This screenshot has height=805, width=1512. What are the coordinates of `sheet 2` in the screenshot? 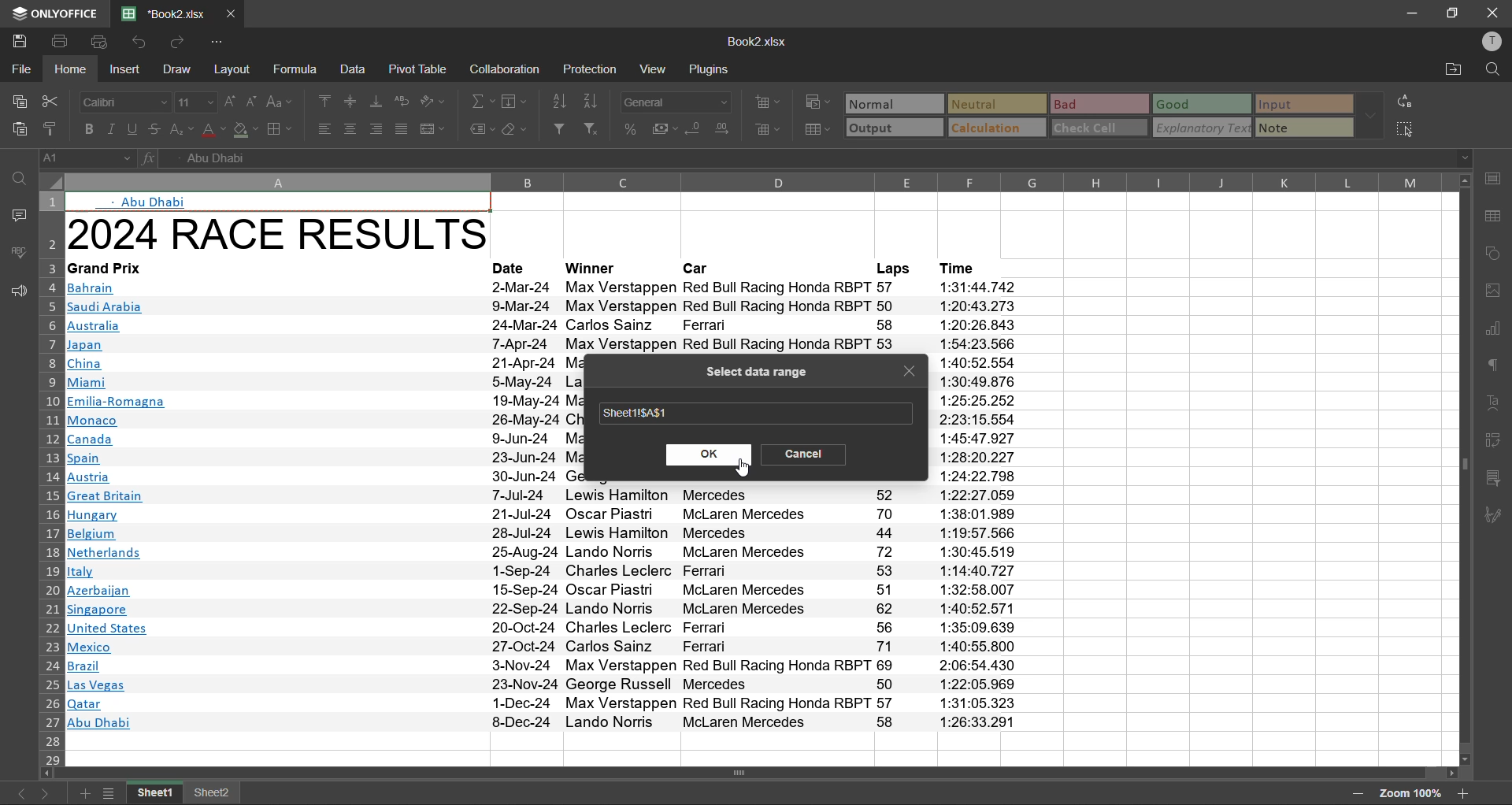 It's located at (228, 794).